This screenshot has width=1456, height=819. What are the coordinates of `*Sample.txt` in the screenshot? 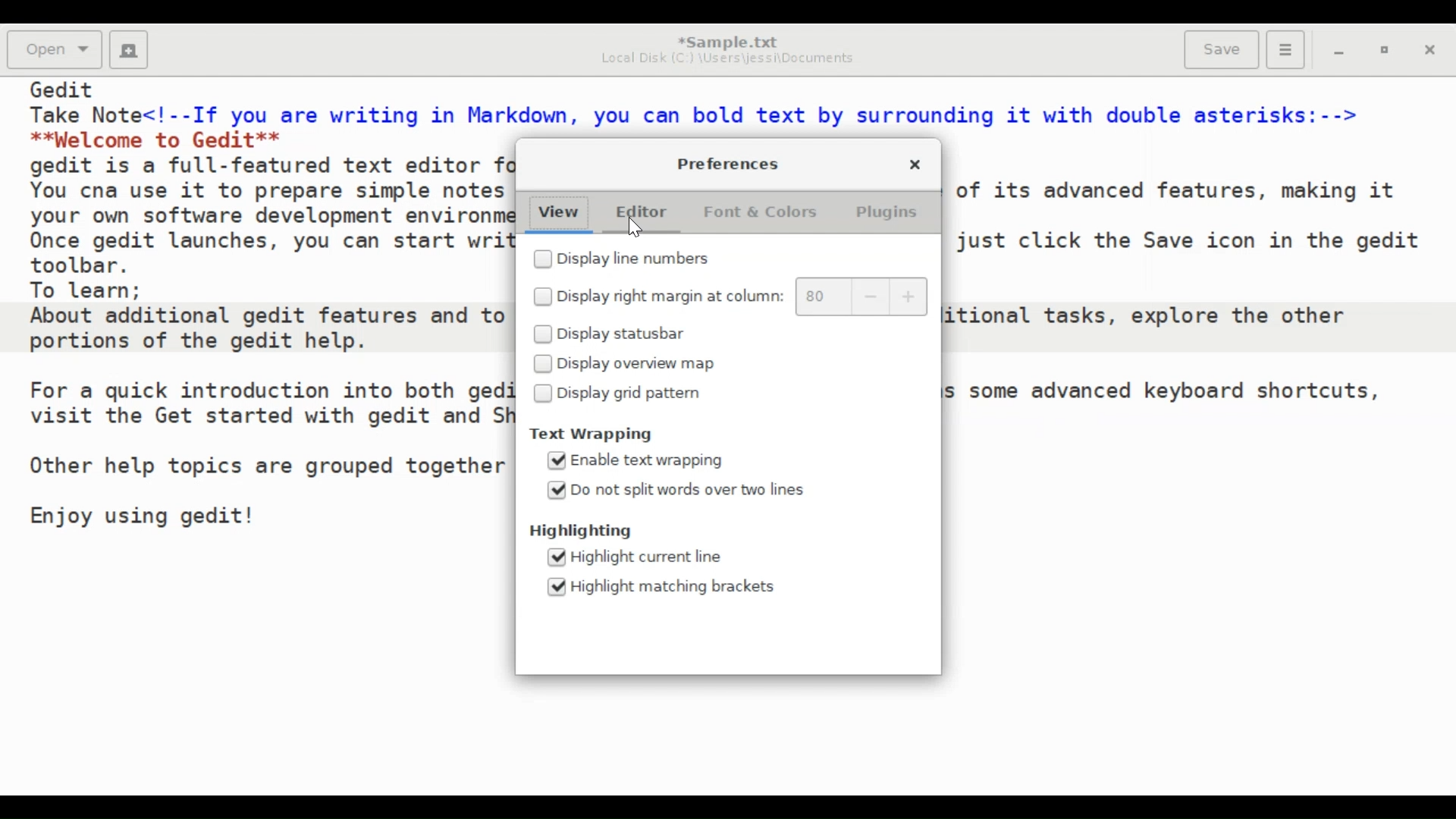 It's located at (728, 39).